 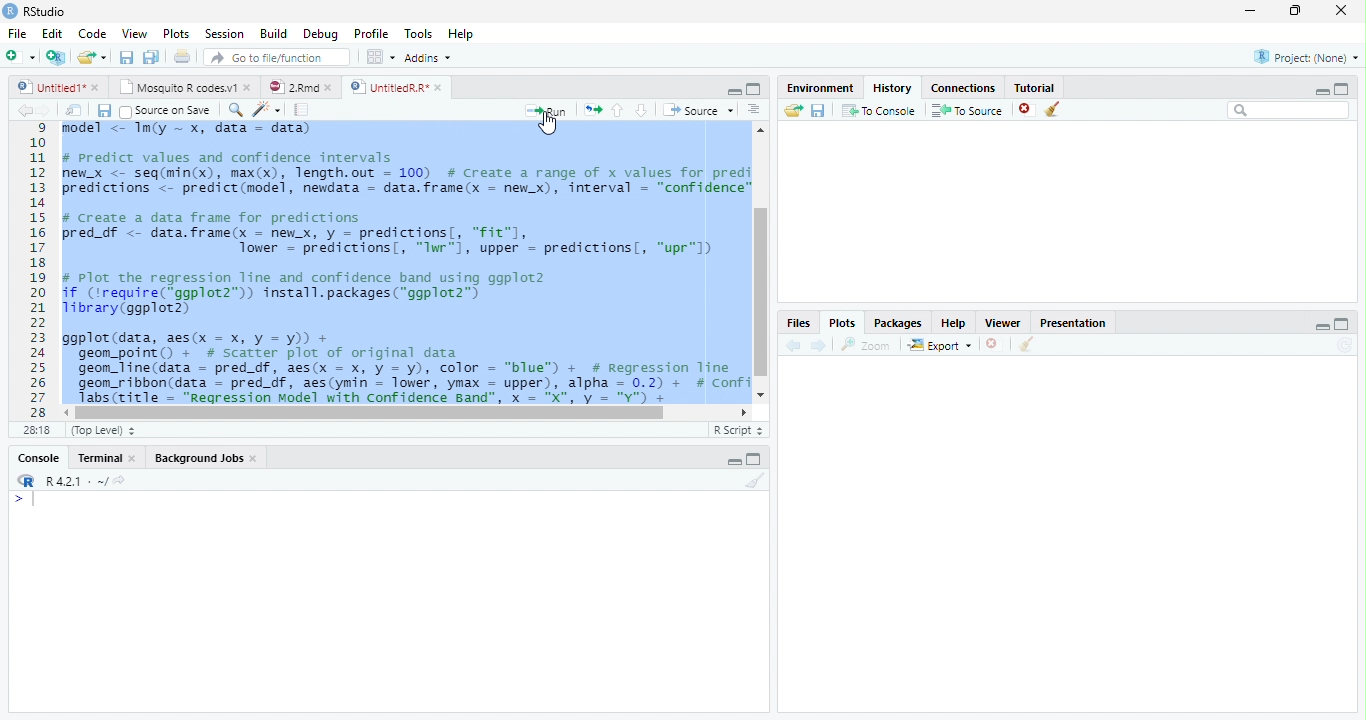 I want to click on Minimize, so click(x=734, y=462).